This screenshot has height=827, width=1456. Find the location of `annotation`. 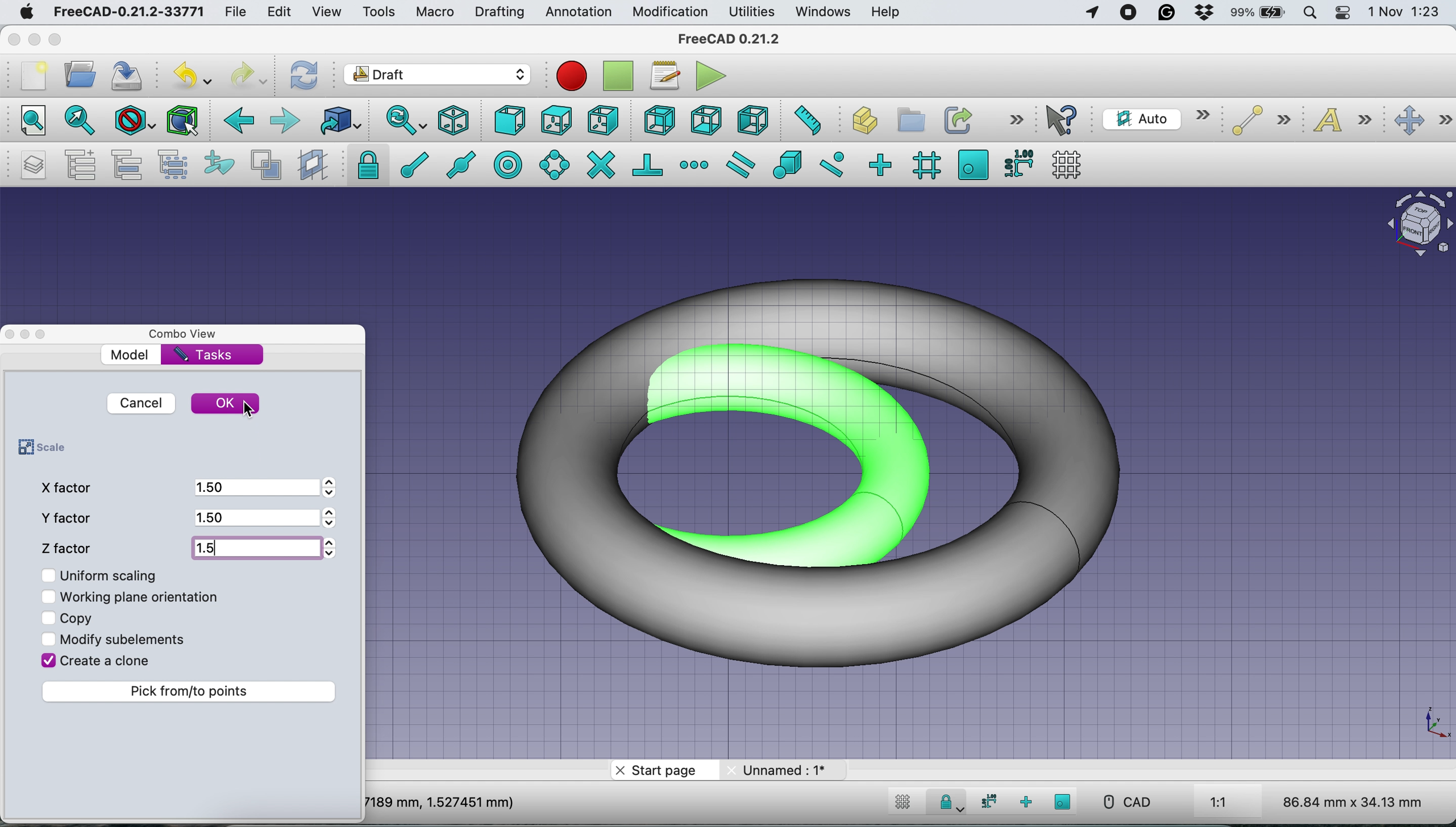

annotation is located at coordinates (578, 12).